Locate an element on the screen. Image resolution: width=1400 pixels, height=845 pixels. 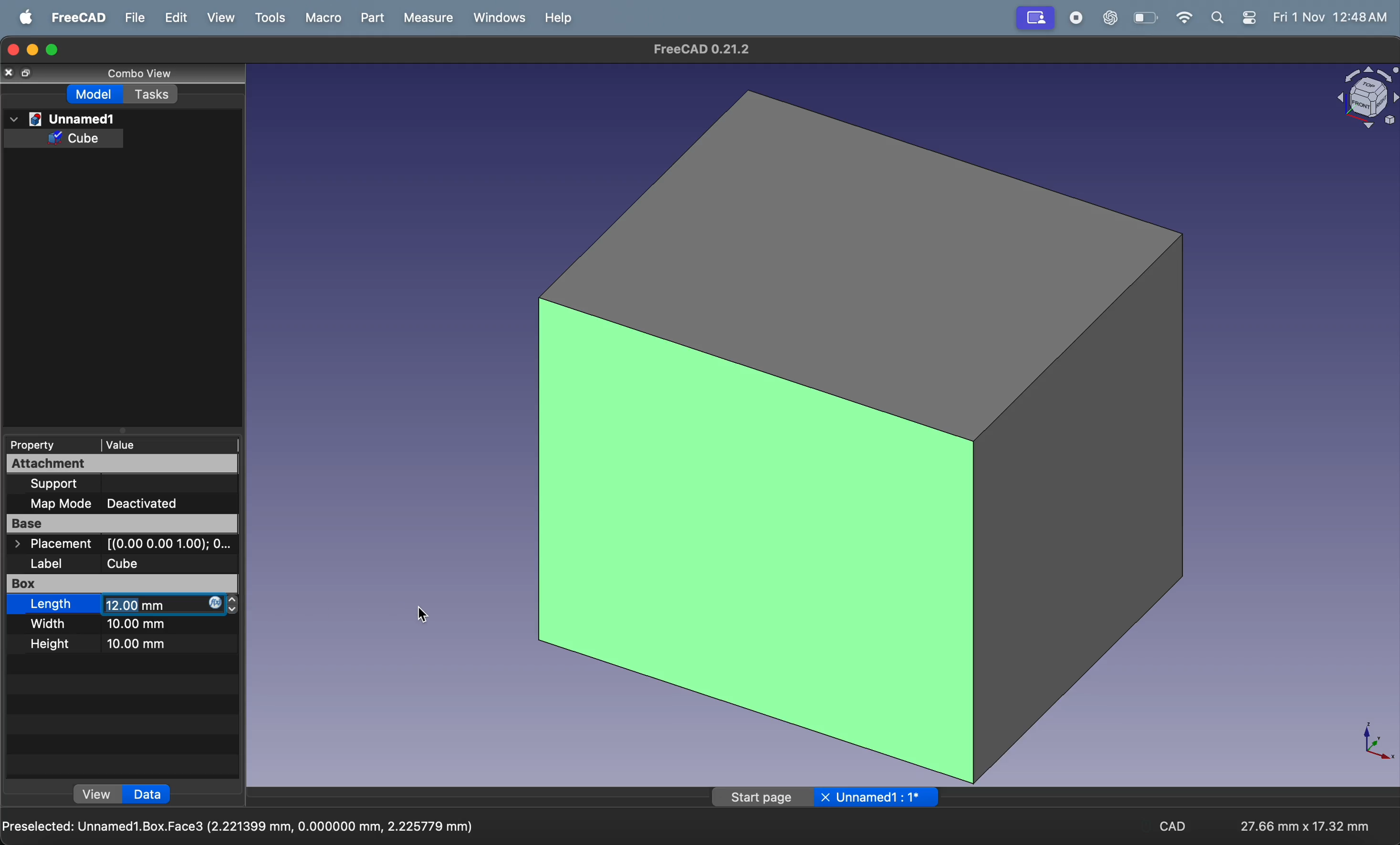
view is located at coordinates (217, 19).